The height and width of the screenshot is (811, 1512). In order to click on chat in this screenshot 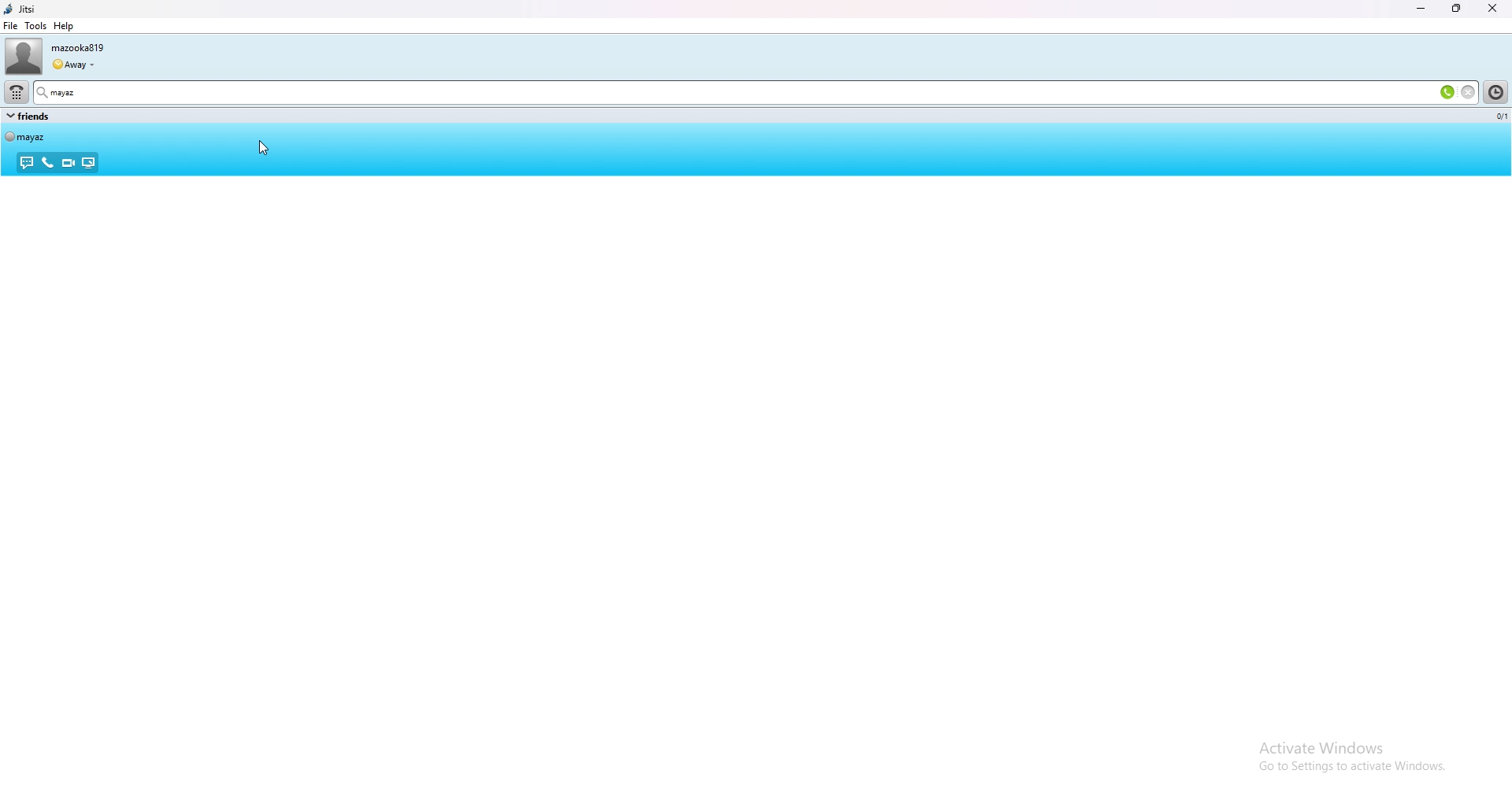, I will do `click(26, 164)`.